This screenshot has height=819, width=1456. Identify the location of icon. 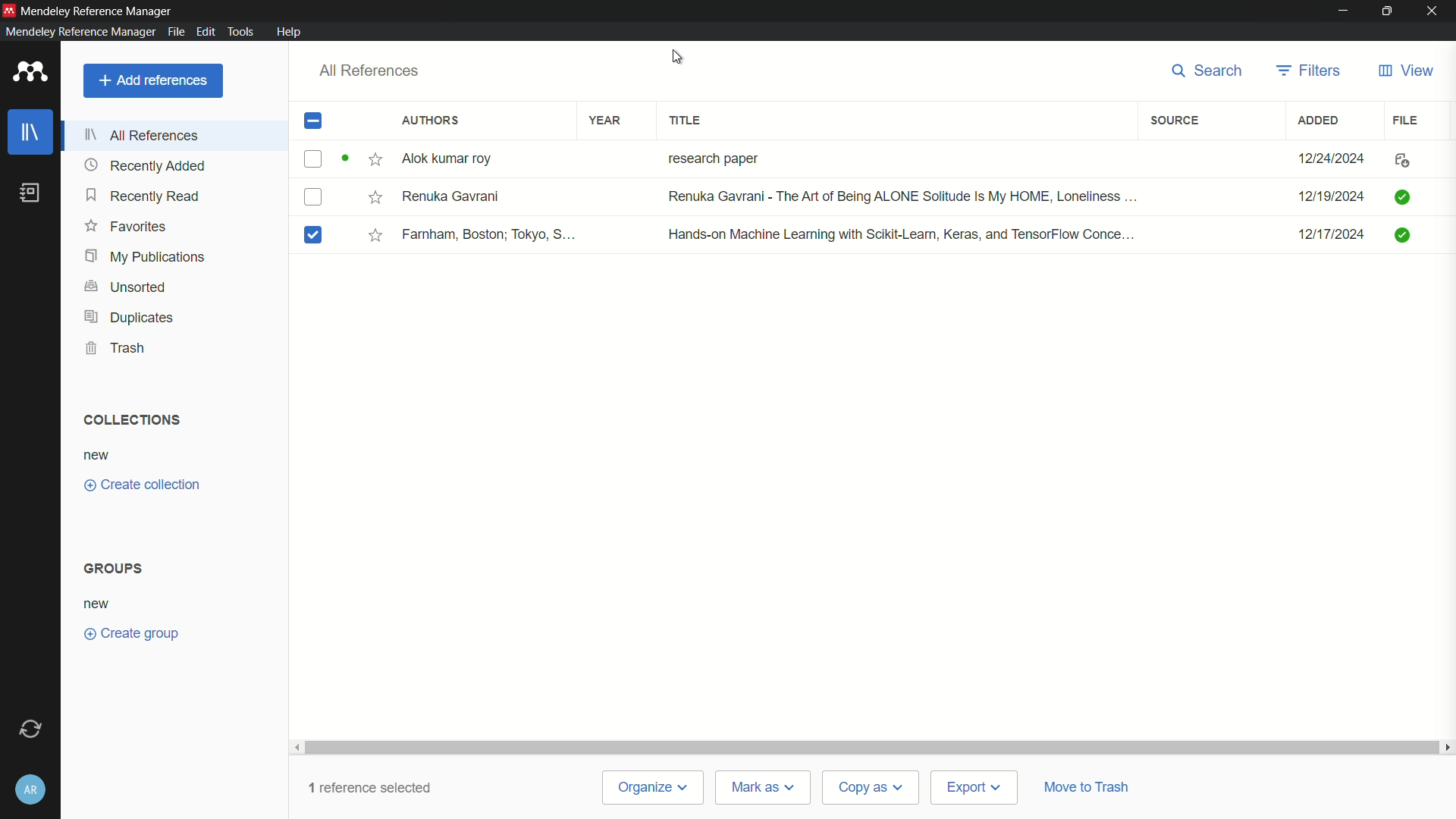
(1399, 237).